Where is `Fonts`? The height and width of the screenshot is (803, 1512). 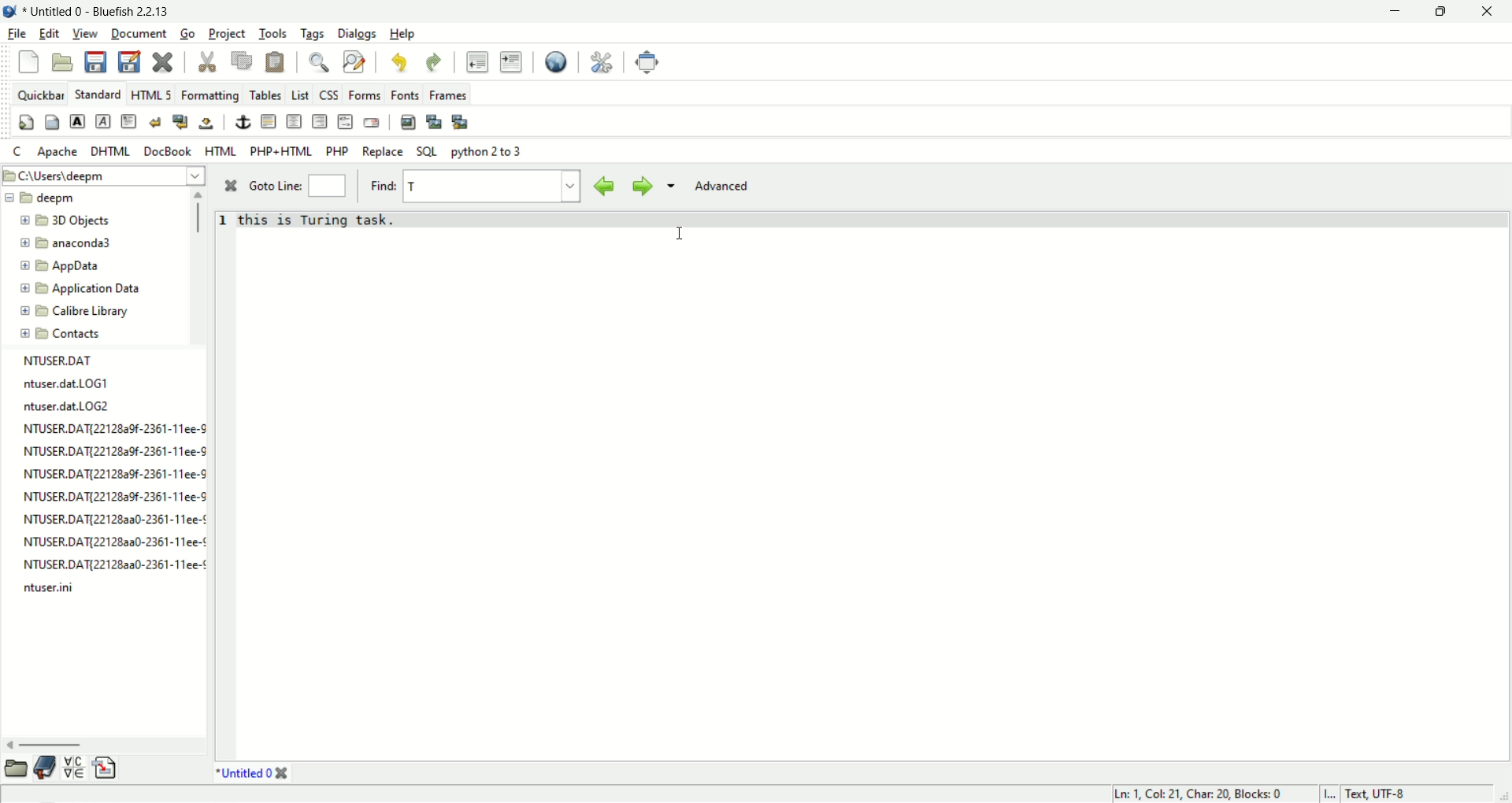 Fonts is located at coordinates (407, 96).